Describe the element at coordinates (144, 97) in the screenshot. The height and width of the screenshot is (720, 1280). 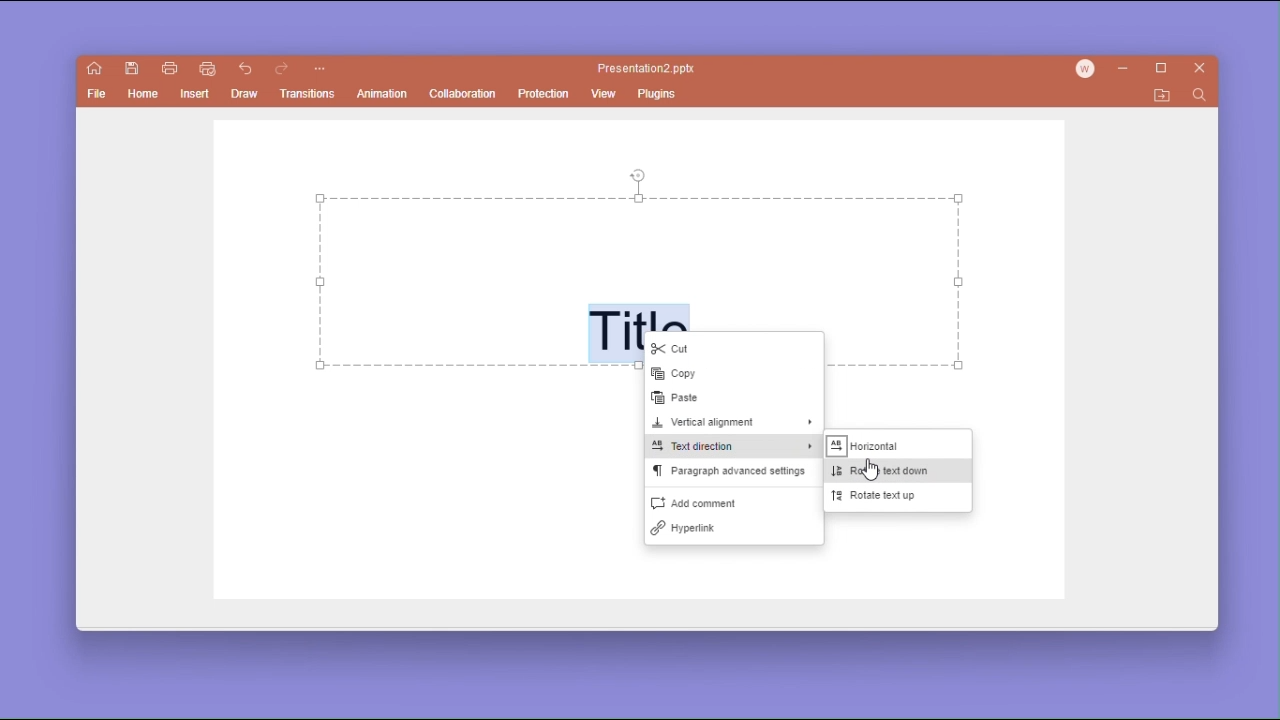
I see `home` at that location.